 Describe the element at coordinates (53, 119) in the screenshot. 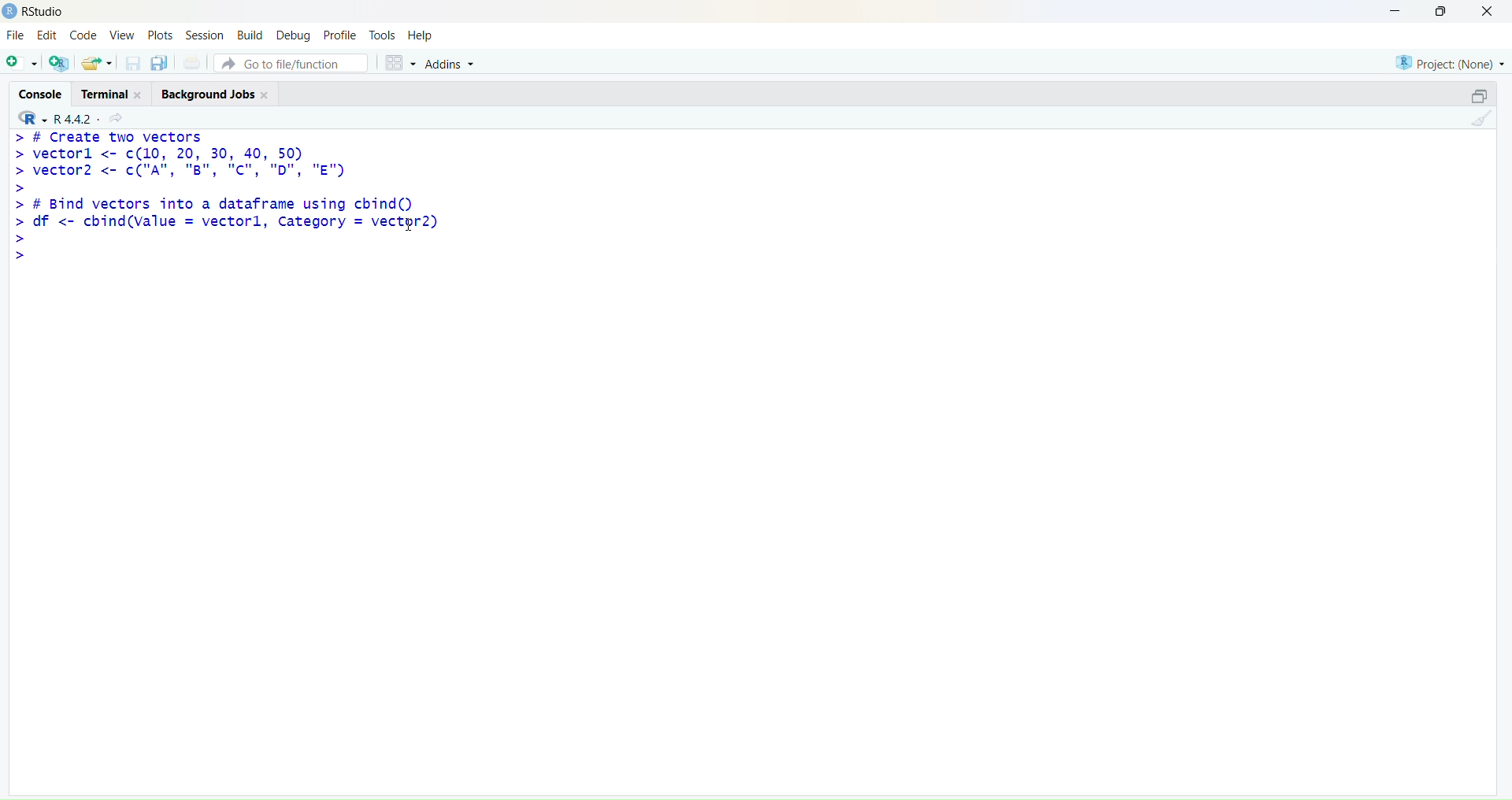

I see ` R 4.4.2` at that location.